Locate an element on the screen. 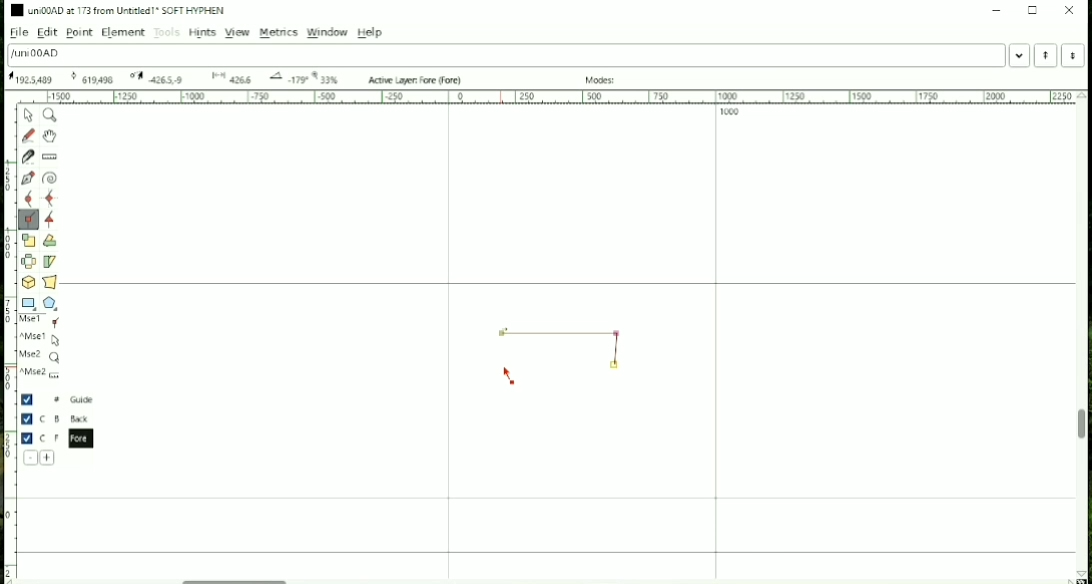 The height and width of the screenshot is (584, 1092). Metrics is located at coordinates (279, 33).